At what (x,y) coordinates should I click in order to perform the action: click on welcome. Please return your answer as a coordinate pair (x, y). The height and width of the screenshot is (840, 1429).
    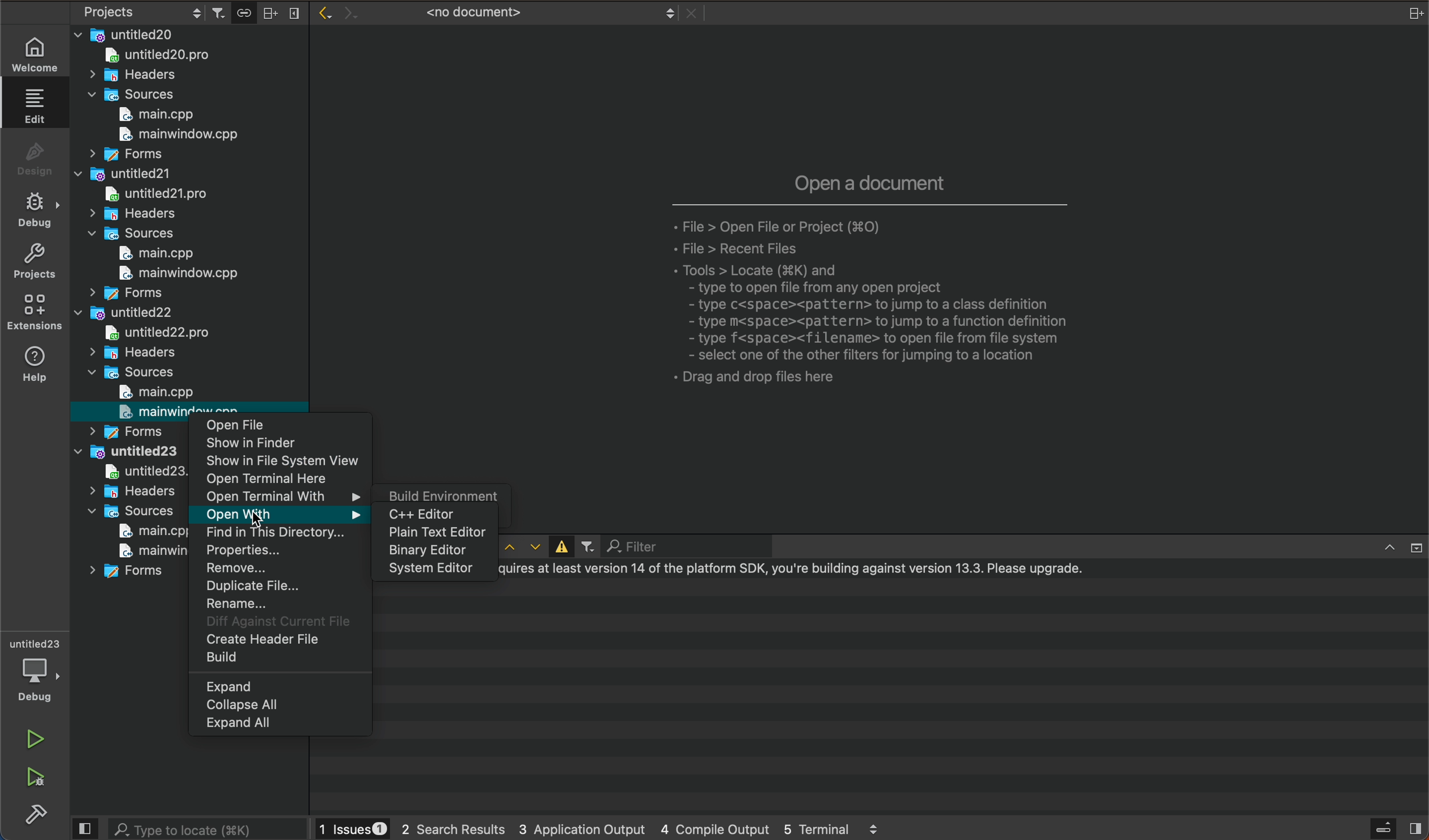
    Looking at the image, I should click on (34, 51).